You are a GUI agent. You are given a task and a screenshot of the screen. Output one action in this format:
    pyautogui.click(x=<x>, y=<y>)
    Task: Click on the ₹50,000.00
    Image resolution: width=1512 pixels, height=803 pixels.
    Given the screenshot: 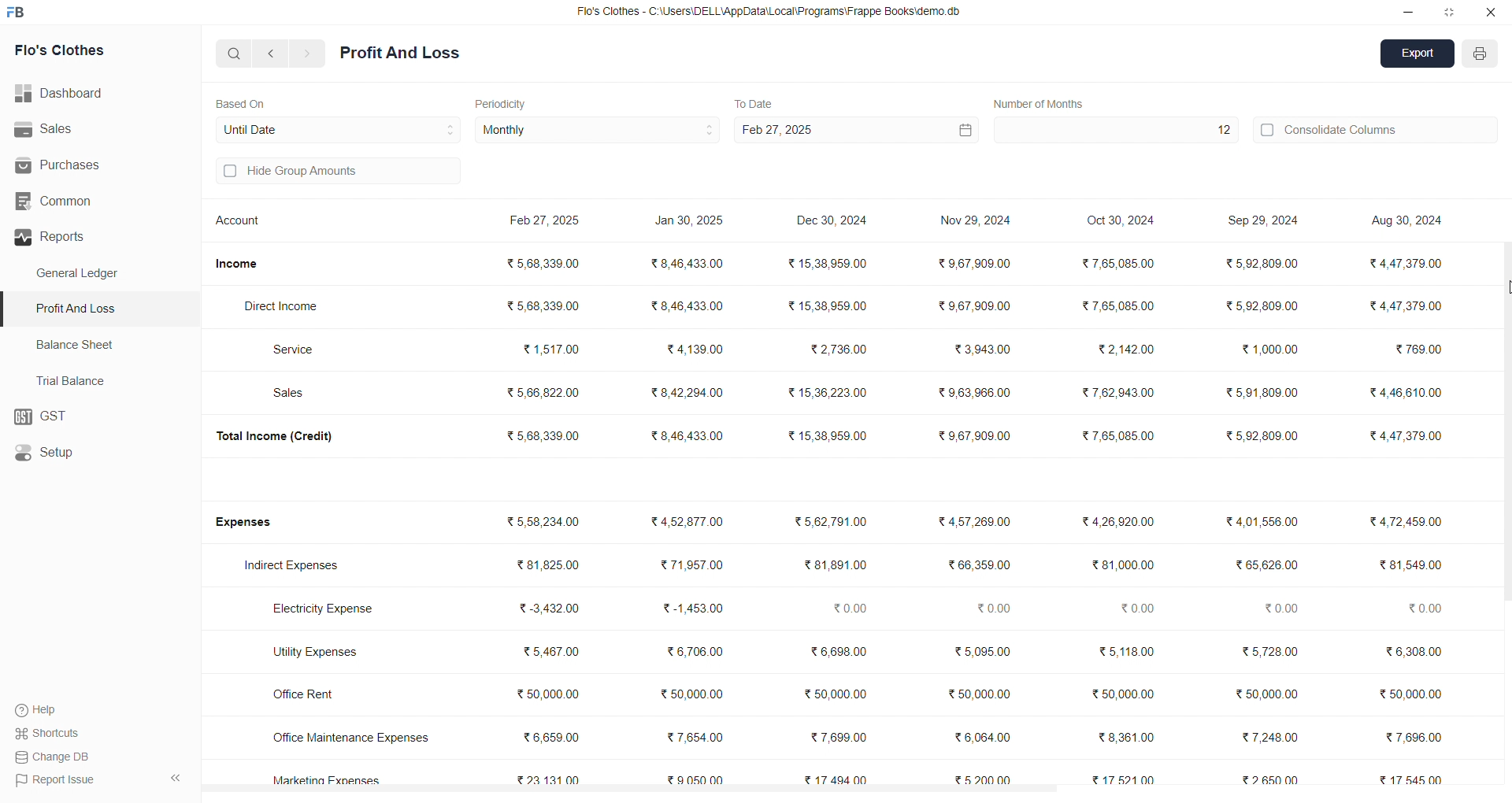 What is the action you would take?
    pyautogui.click(x=691, y=693)
    